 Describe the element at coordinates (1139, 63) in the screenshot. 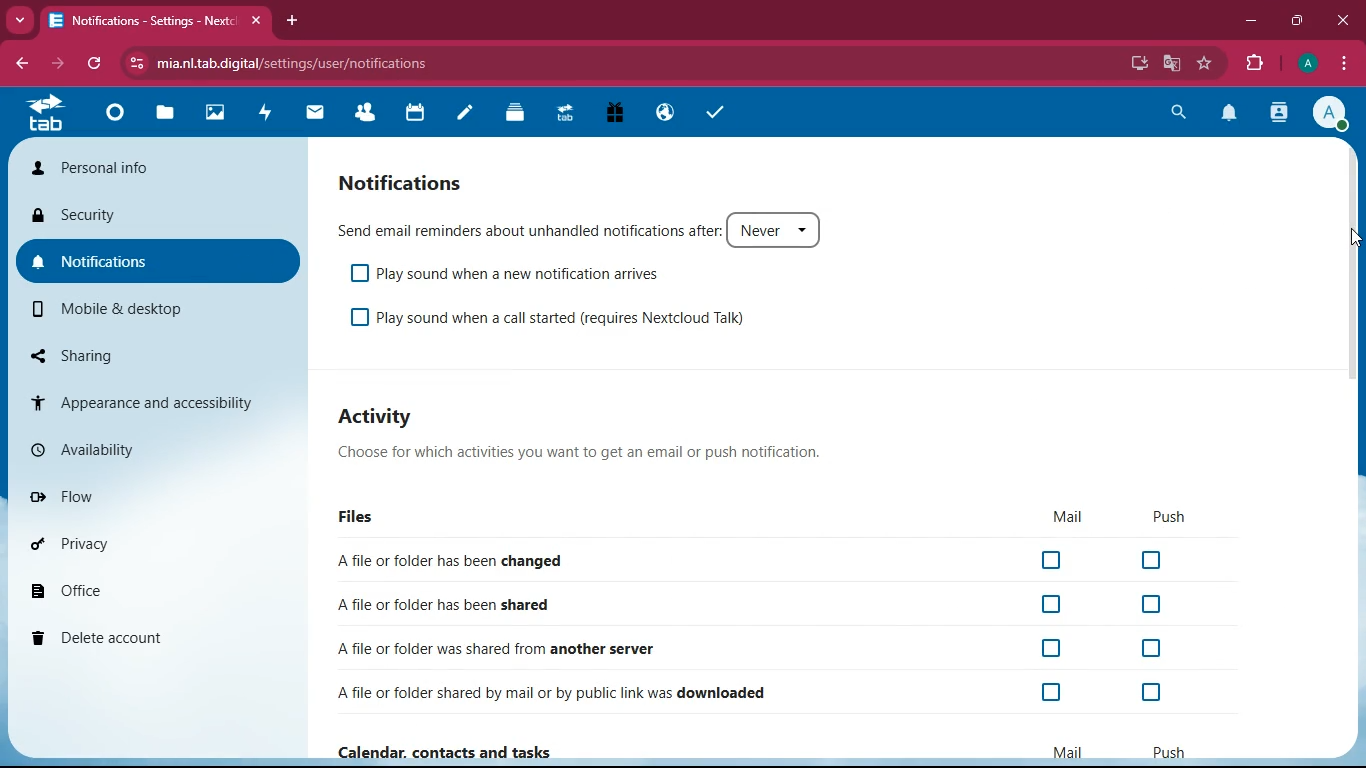

I see `install app` at that location.